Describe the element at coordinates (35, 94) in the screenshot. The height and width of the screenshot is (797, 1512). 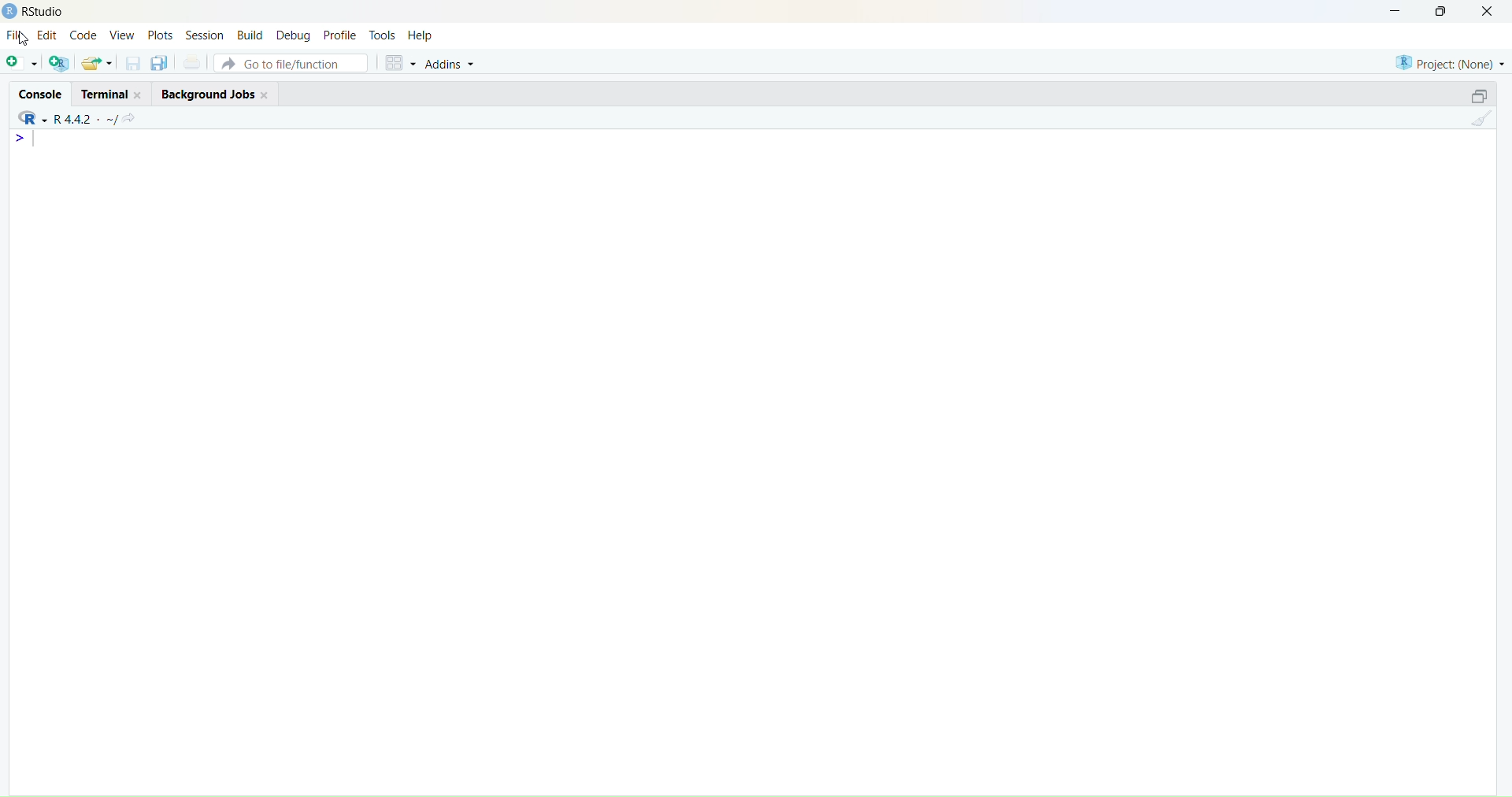
I see `Console` at that location.